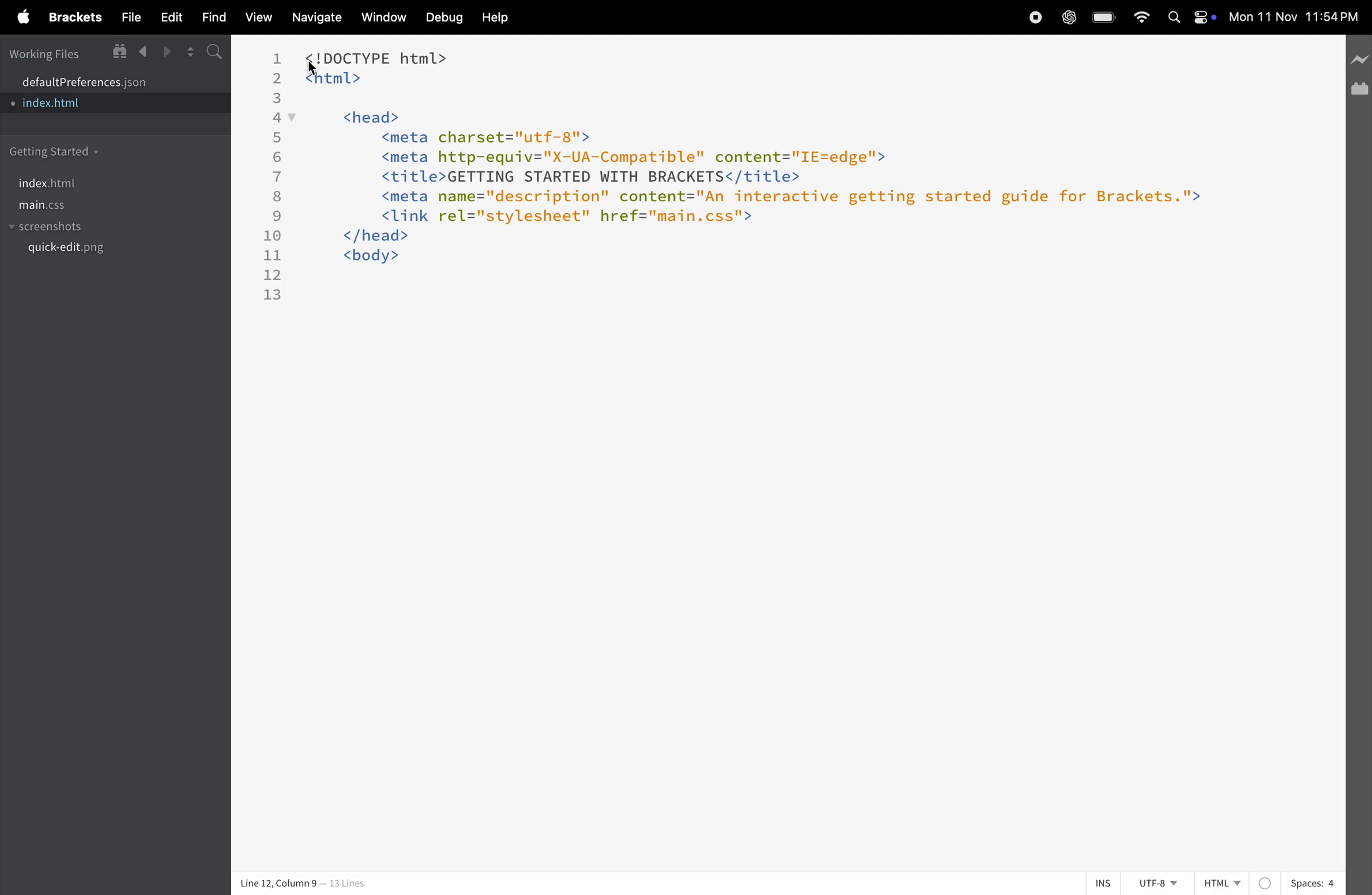  I want to click on file, so click(127, 17).